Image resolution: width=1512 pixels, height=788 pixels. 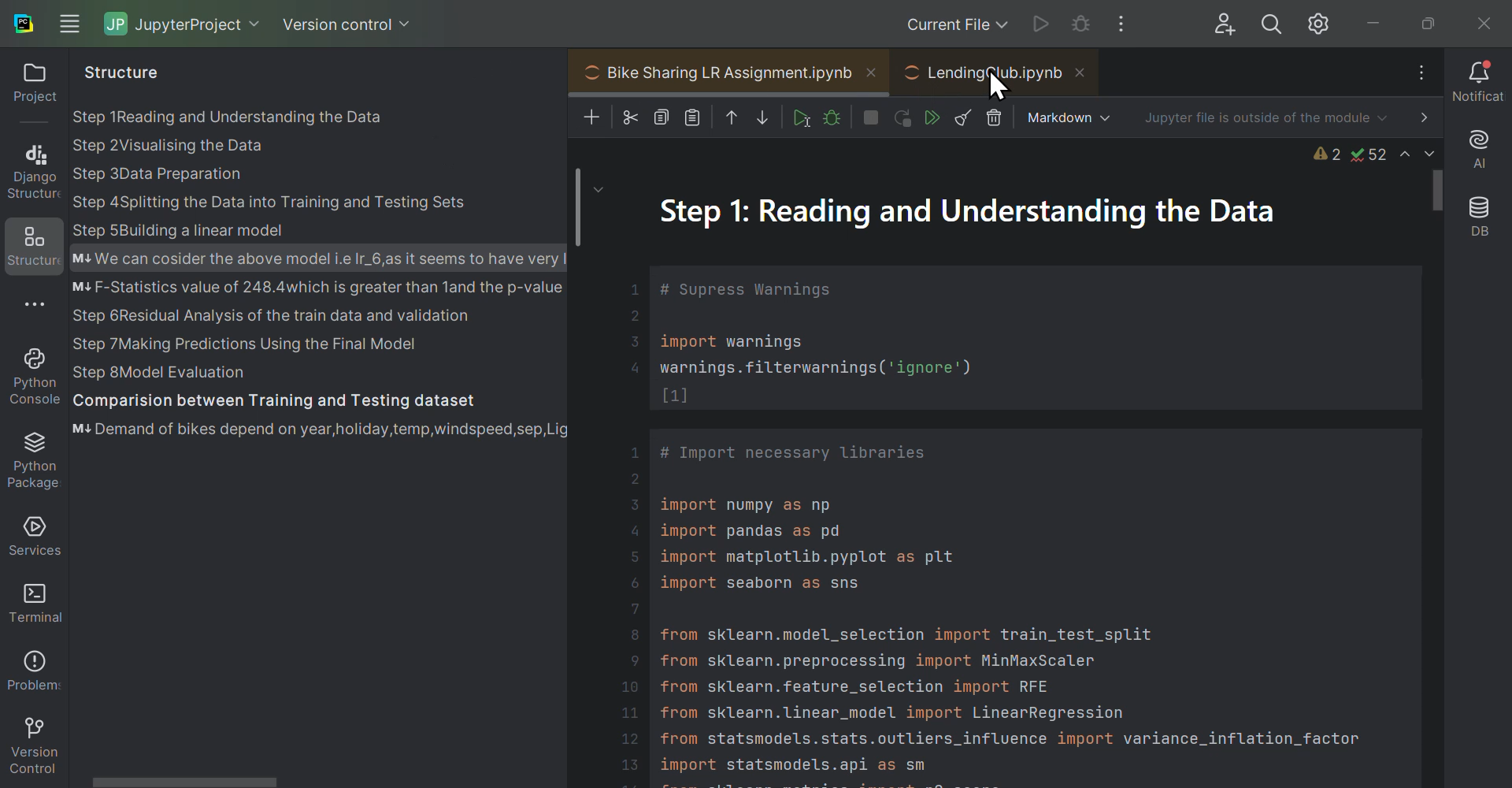 I want to click on Debug cell, so click(x=836, y=120).